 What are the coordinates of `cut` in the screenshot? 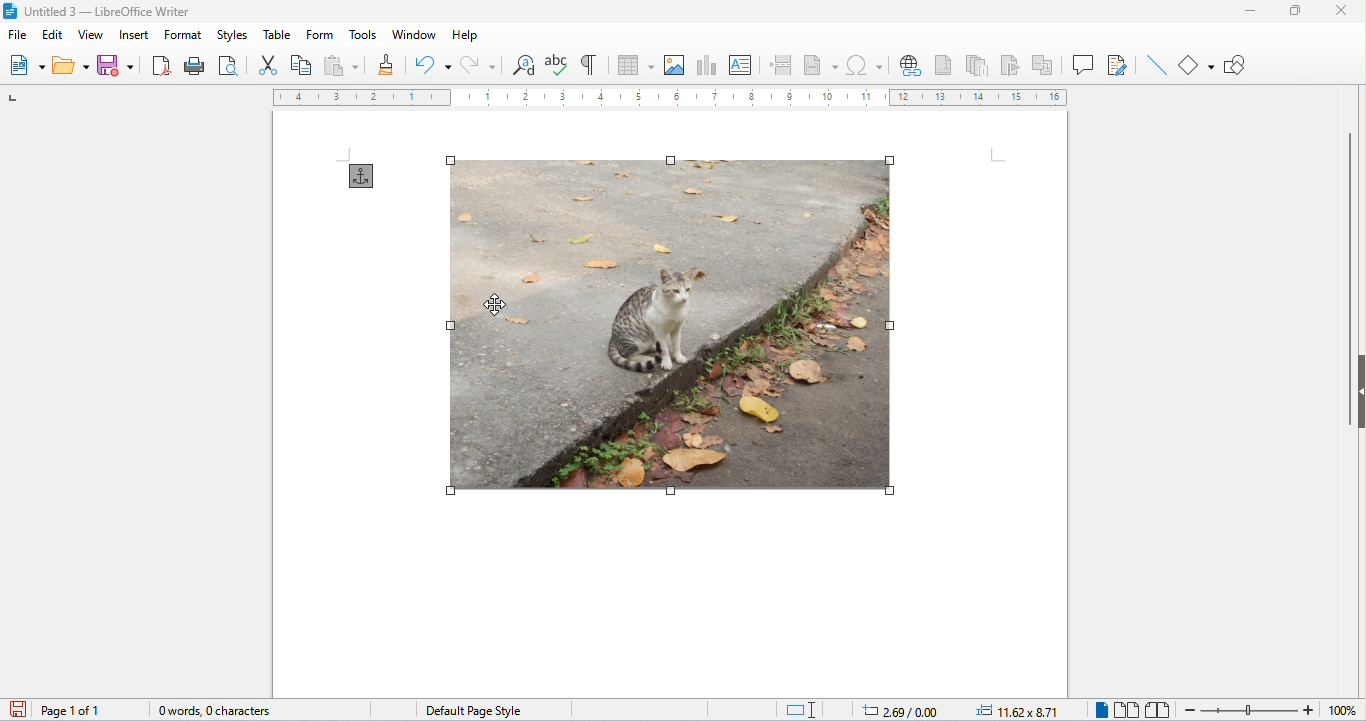 It's located at (268, 66).